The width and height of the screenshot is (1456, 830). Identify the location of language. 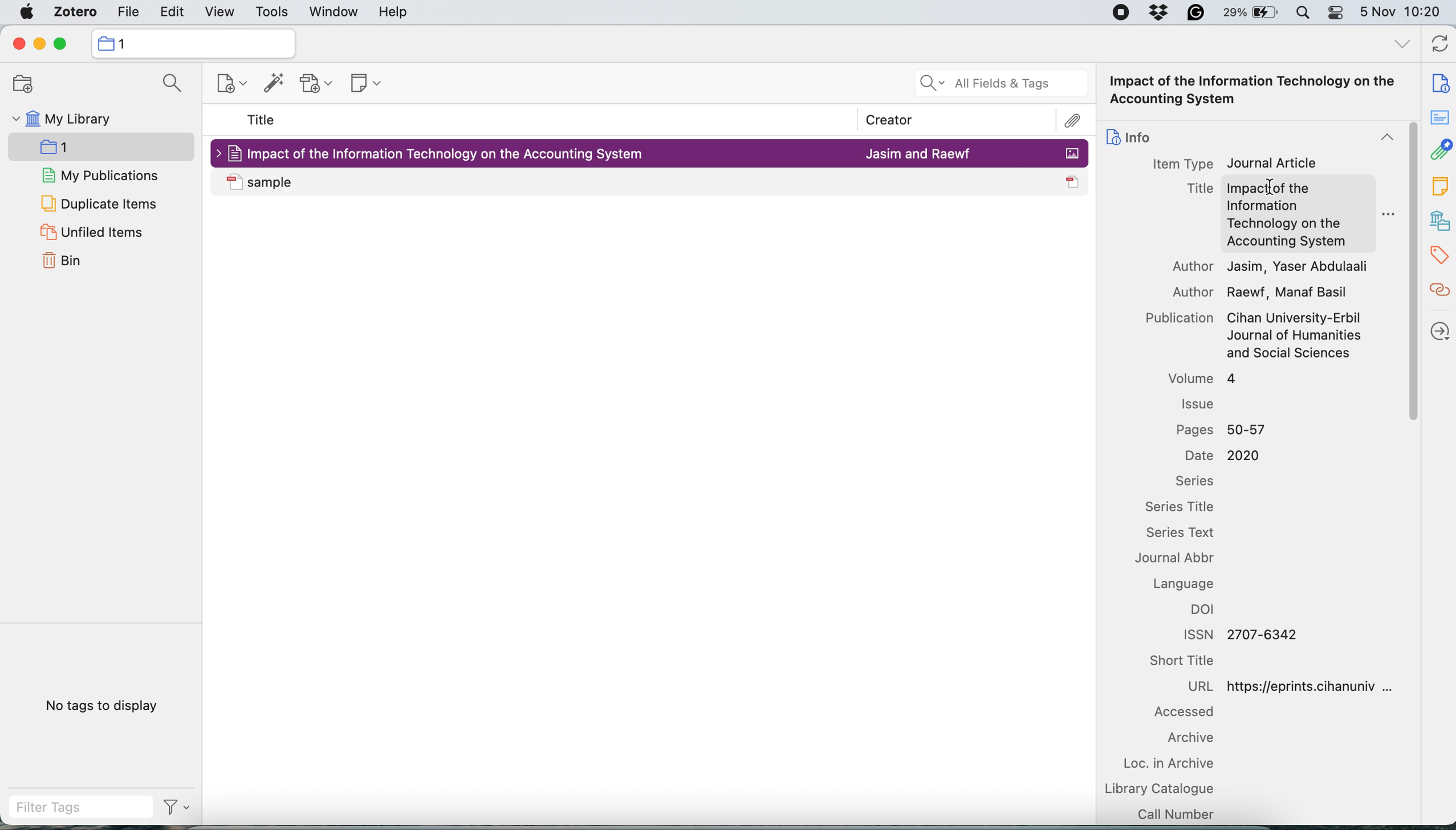
(1183, 584).